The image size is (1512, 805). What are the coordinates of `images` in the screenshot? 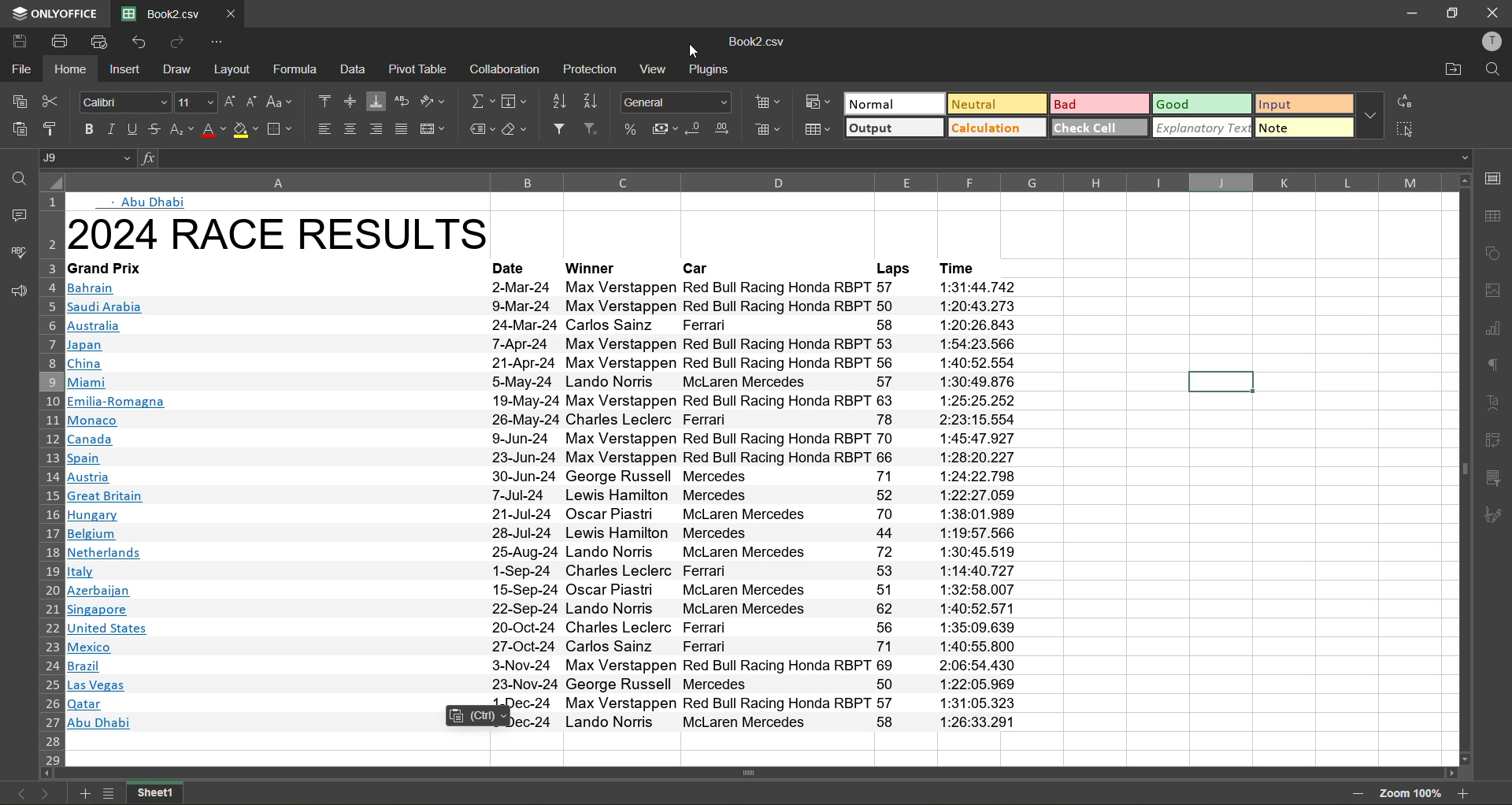 It's located at (1493, 292).